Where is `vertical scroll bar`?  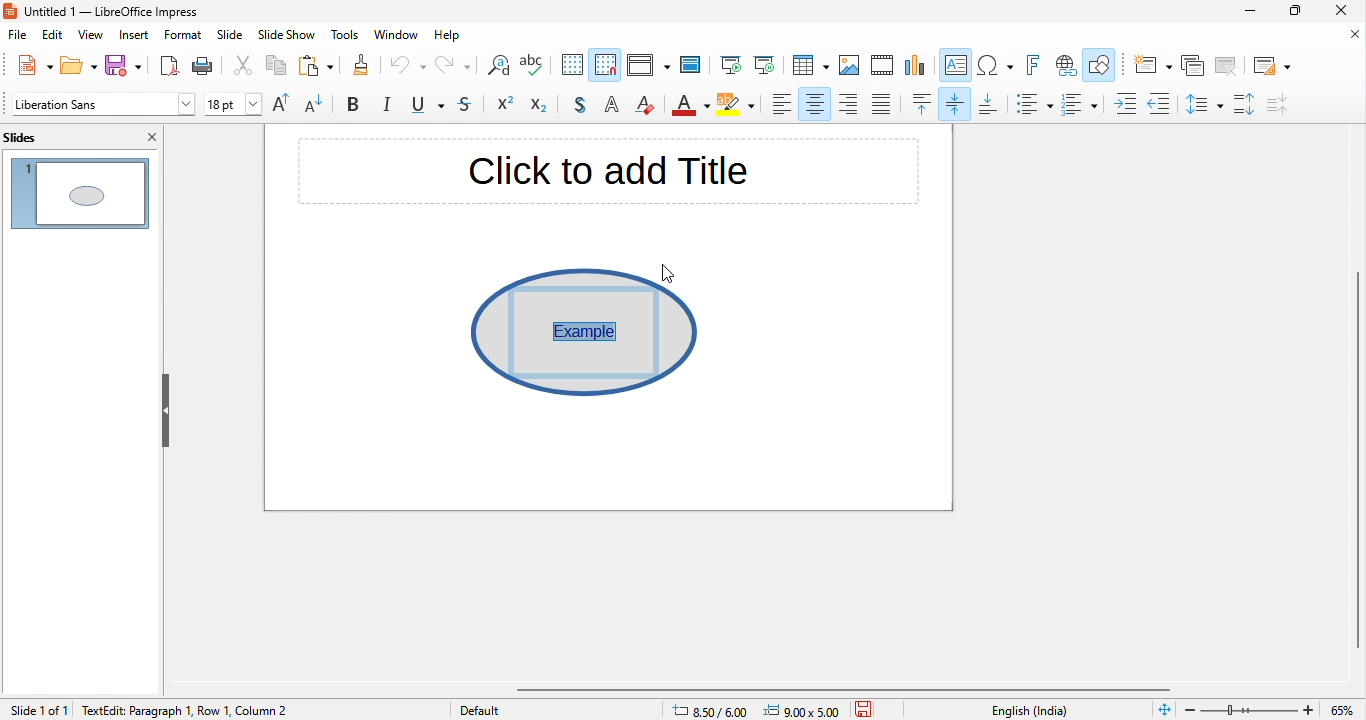
vertical scroll bar is located at coordinates (1355, 448).